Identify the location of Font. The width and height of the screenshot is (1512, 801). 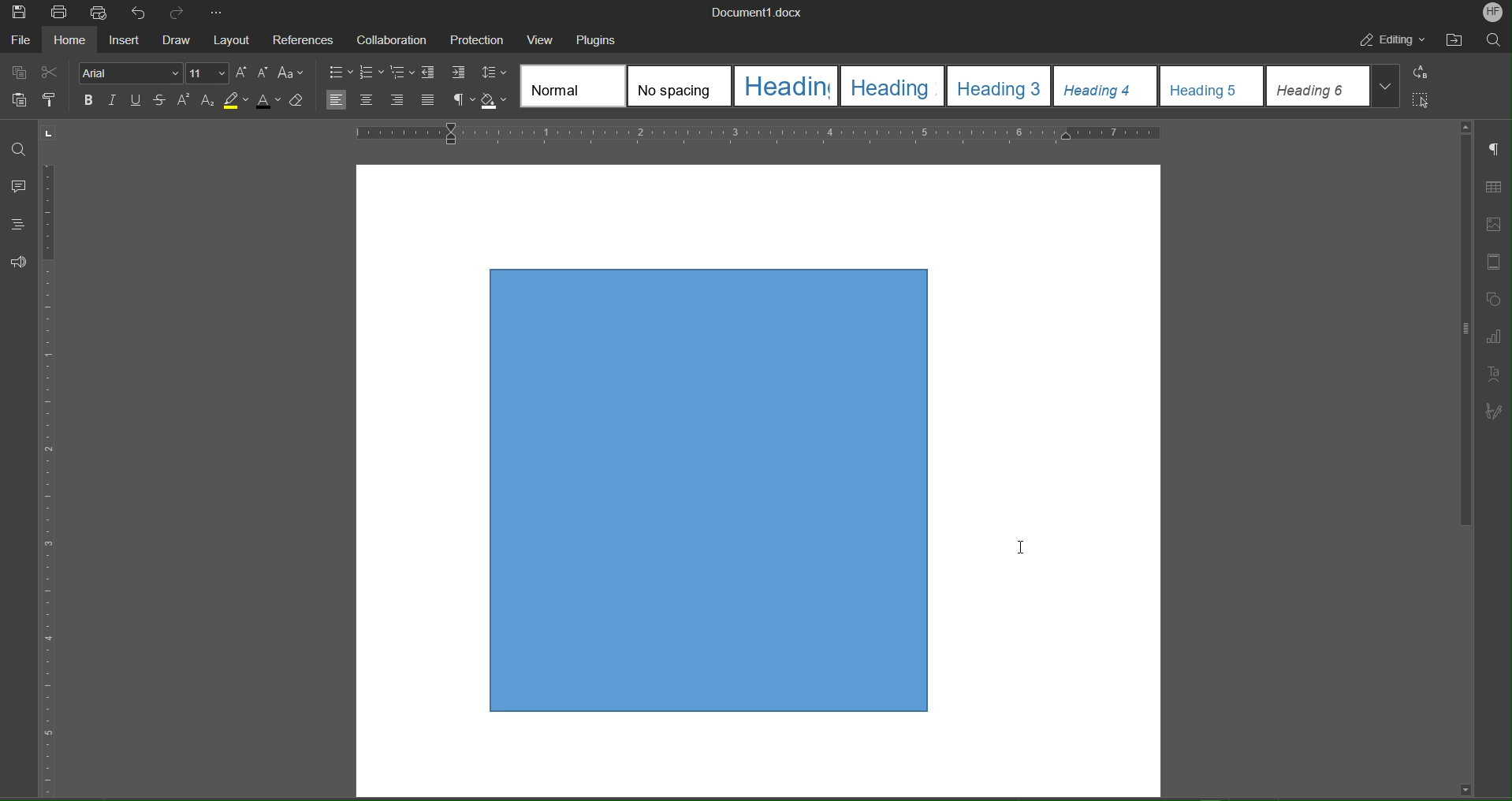
(129, 73).